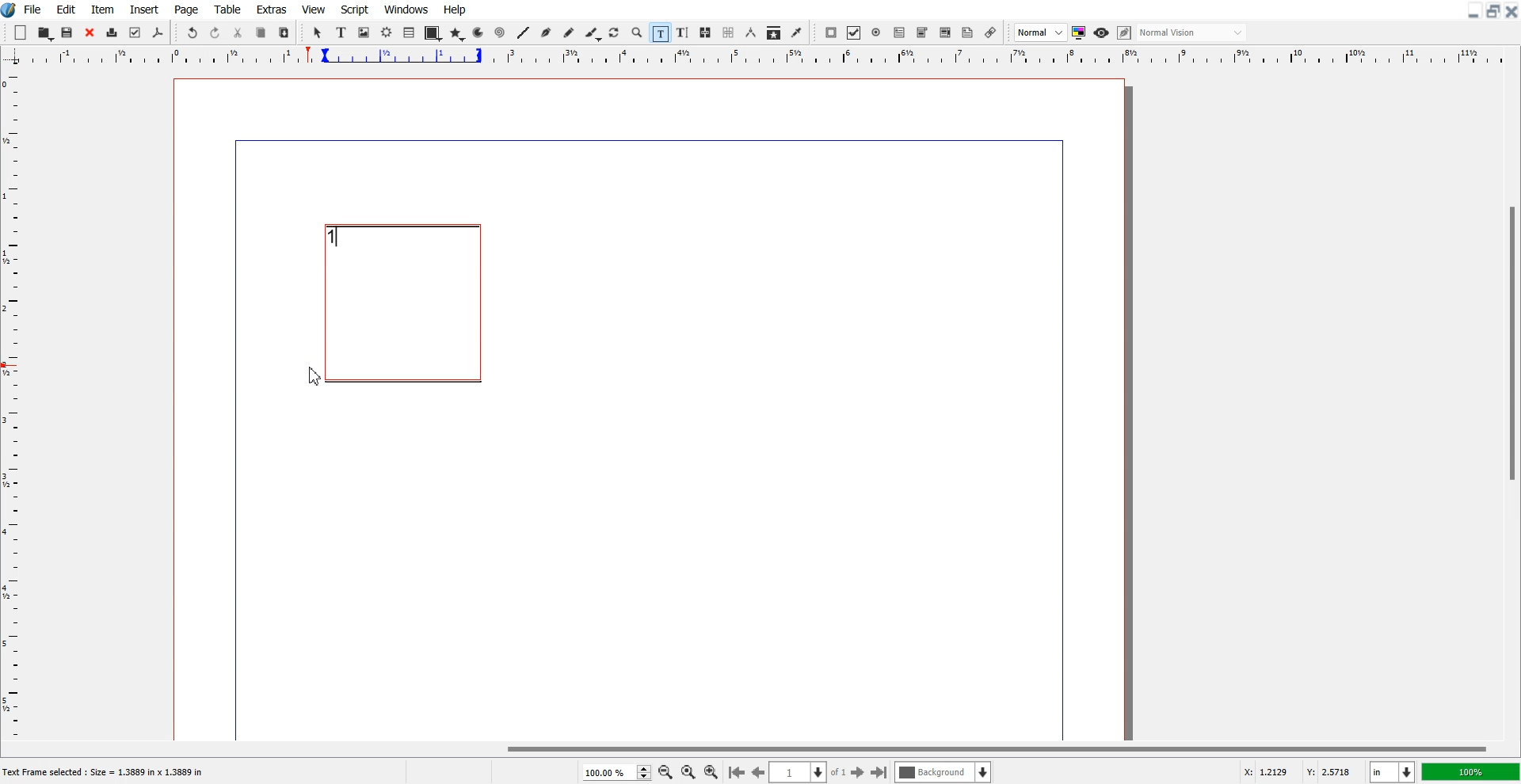 The height and width of the screenshot is (784, 1521). I want to click on Cursor, so click(316, 378).